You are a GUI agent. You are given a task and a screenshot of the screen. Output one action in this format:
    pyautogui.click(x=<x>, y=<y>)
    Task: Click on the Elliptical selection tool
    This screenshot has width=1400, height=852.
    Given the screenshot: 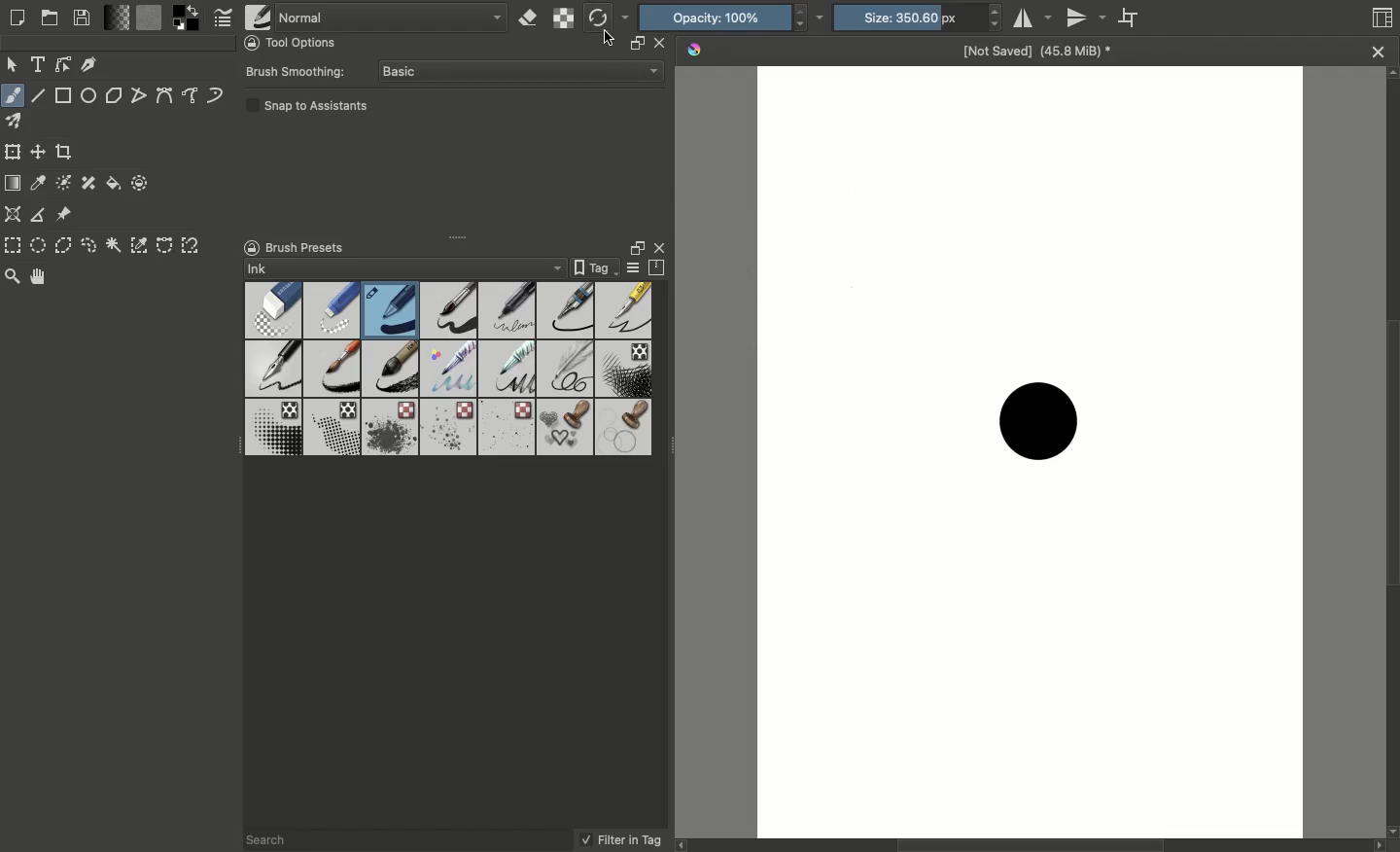 What is the action you would take?
    pyautogui.click(x=38, y=245)
    